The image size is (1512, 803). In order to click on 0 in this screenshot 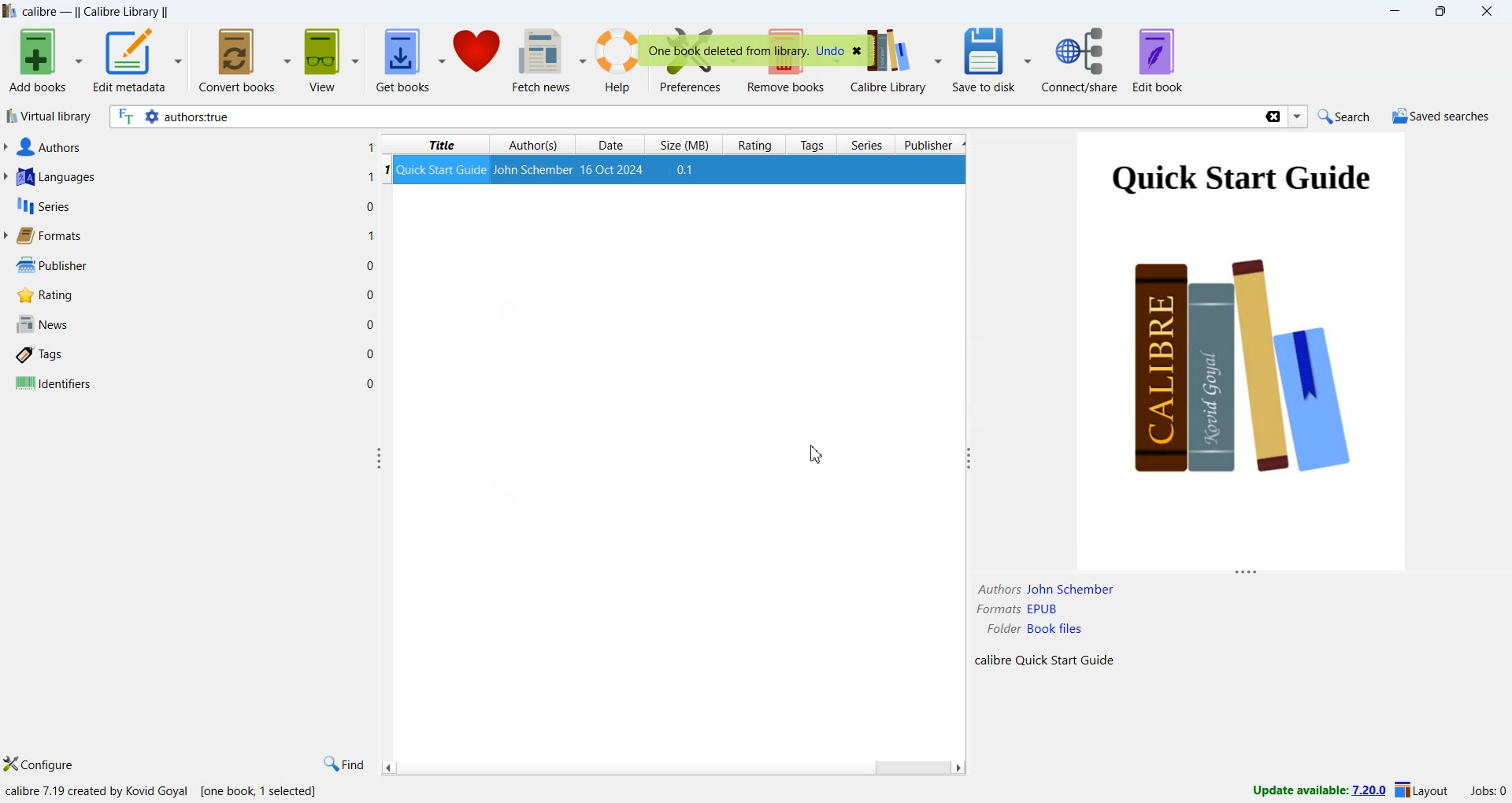, I will do `click(372, 293)`.